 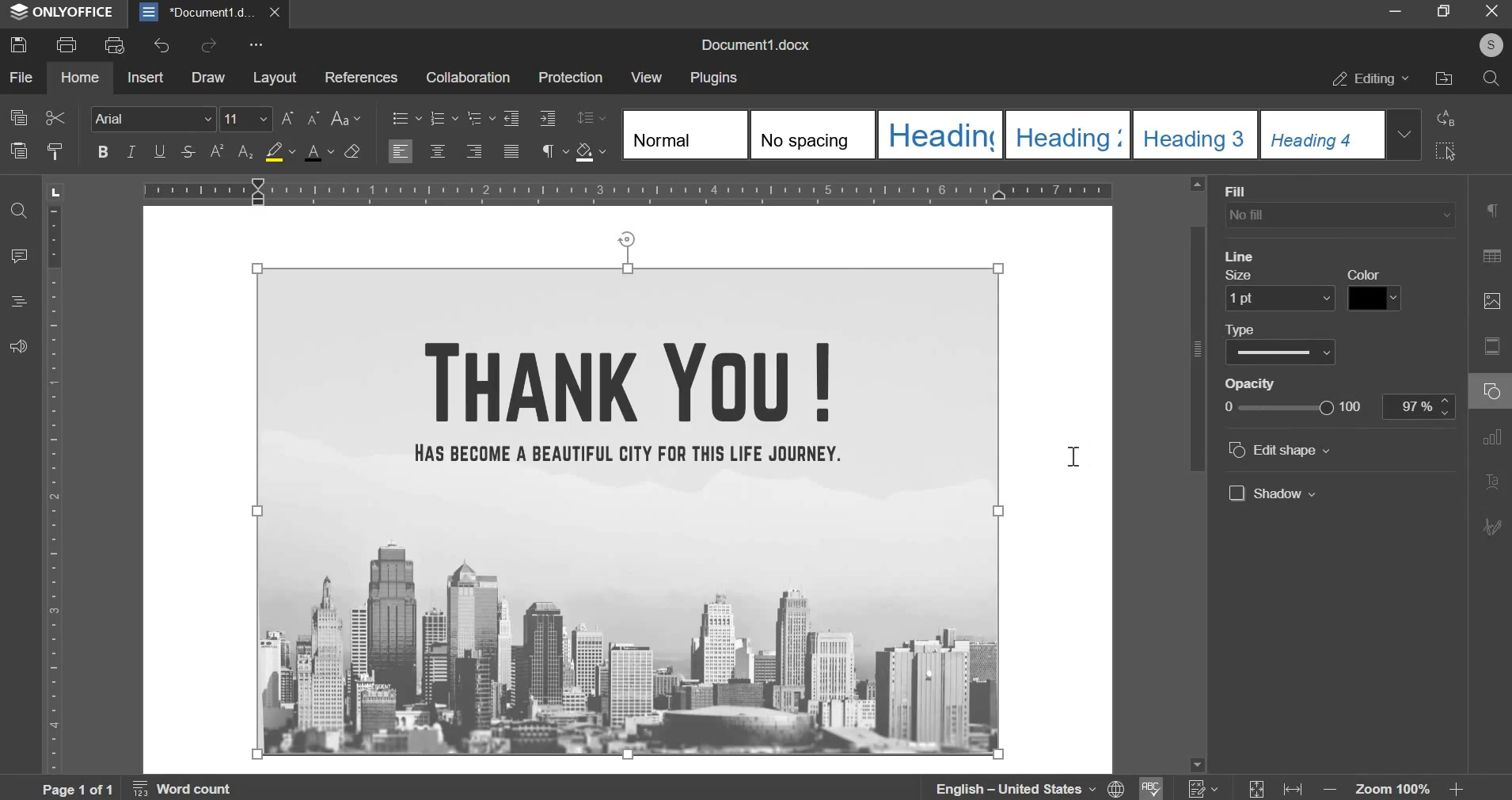 What do you see at coordinates (713, 78) in the screenshot?
I see `plugins` at bounding box center [713, 78].